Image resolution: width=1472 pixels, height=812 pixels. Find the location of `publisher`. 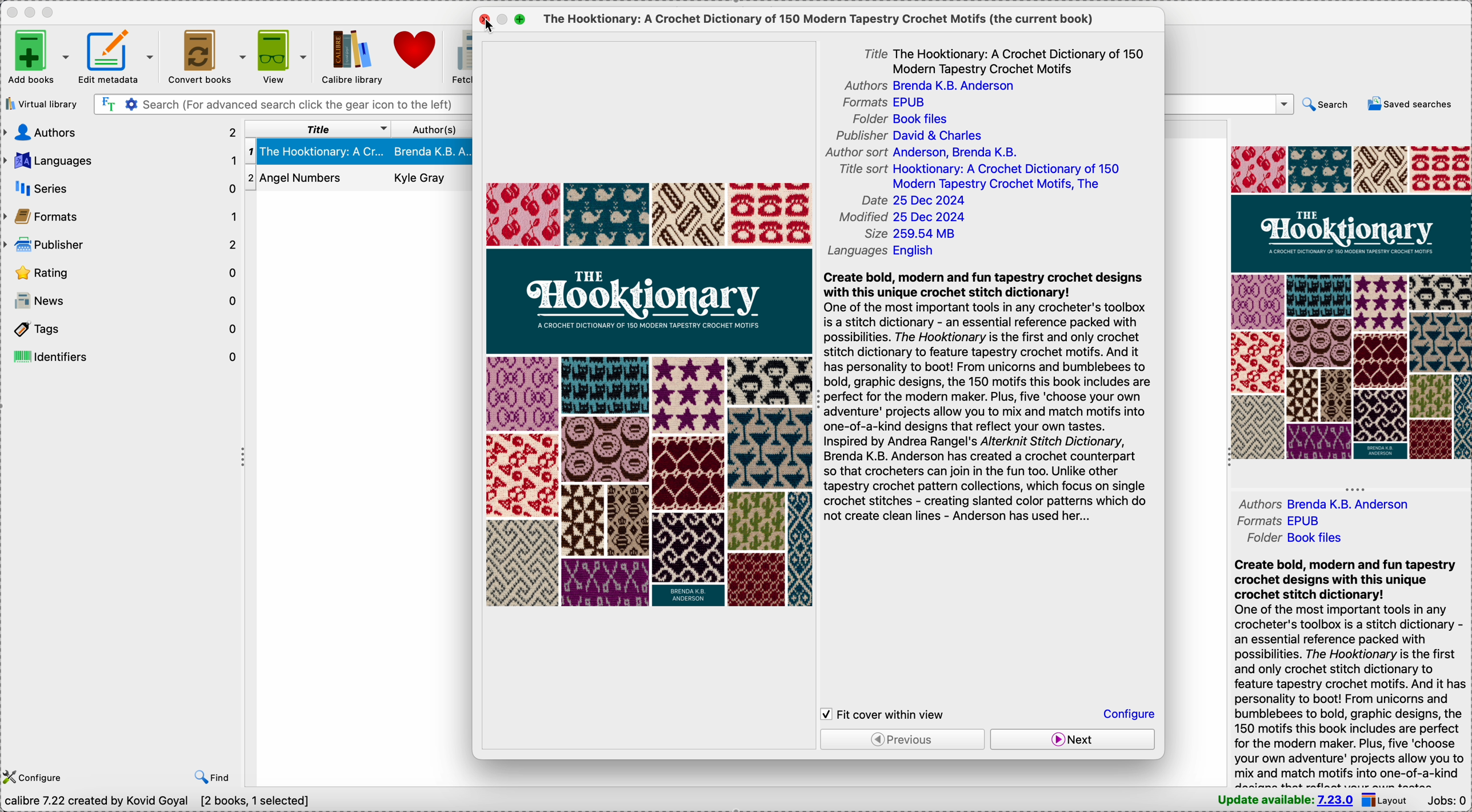

publisher is located at coordinates (908, 136).